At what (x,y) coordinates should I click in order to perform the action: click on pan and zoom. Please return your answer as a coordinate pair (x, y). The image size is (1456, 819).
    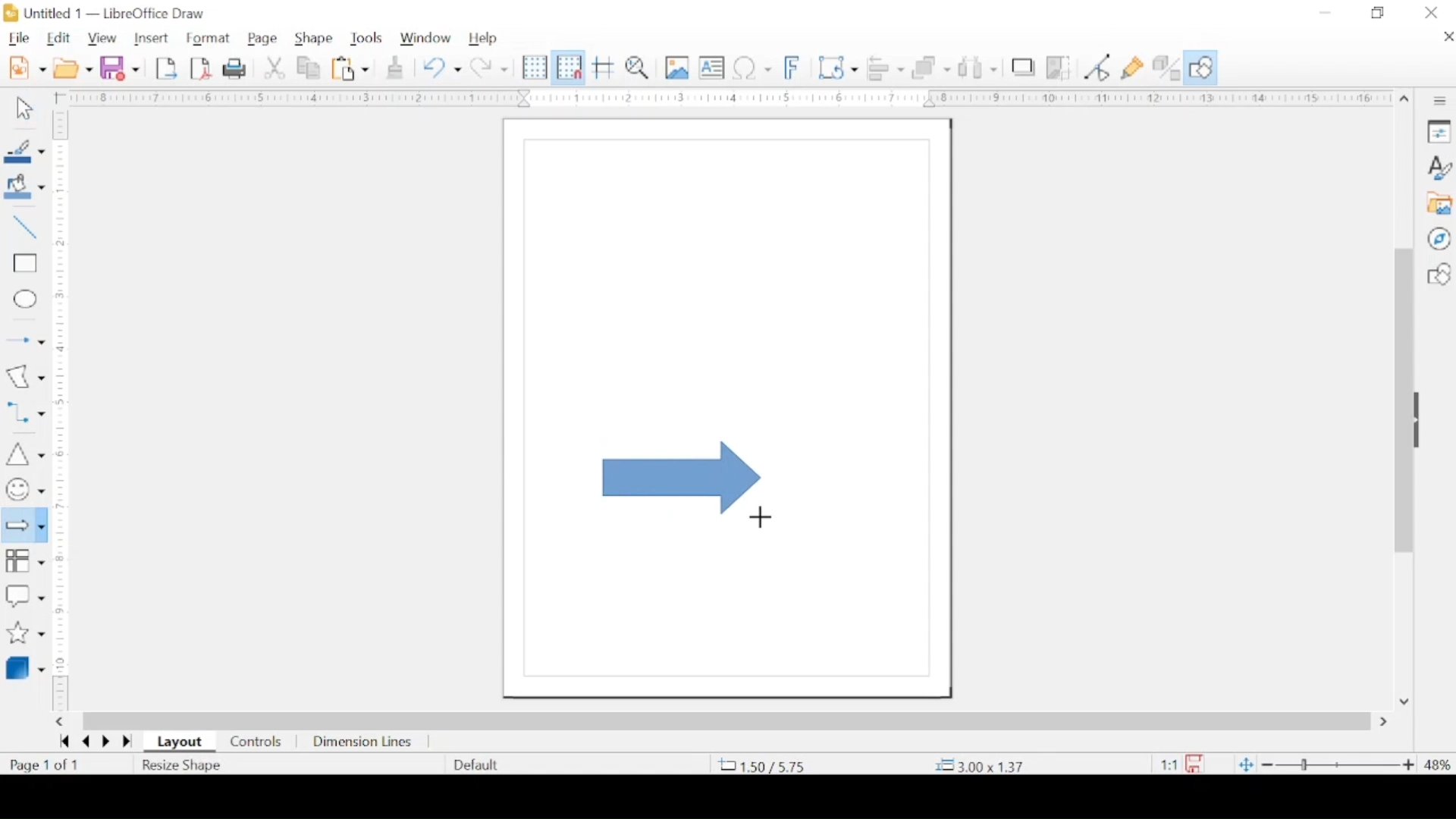
    Looking at the image, I should click on (638, 67).